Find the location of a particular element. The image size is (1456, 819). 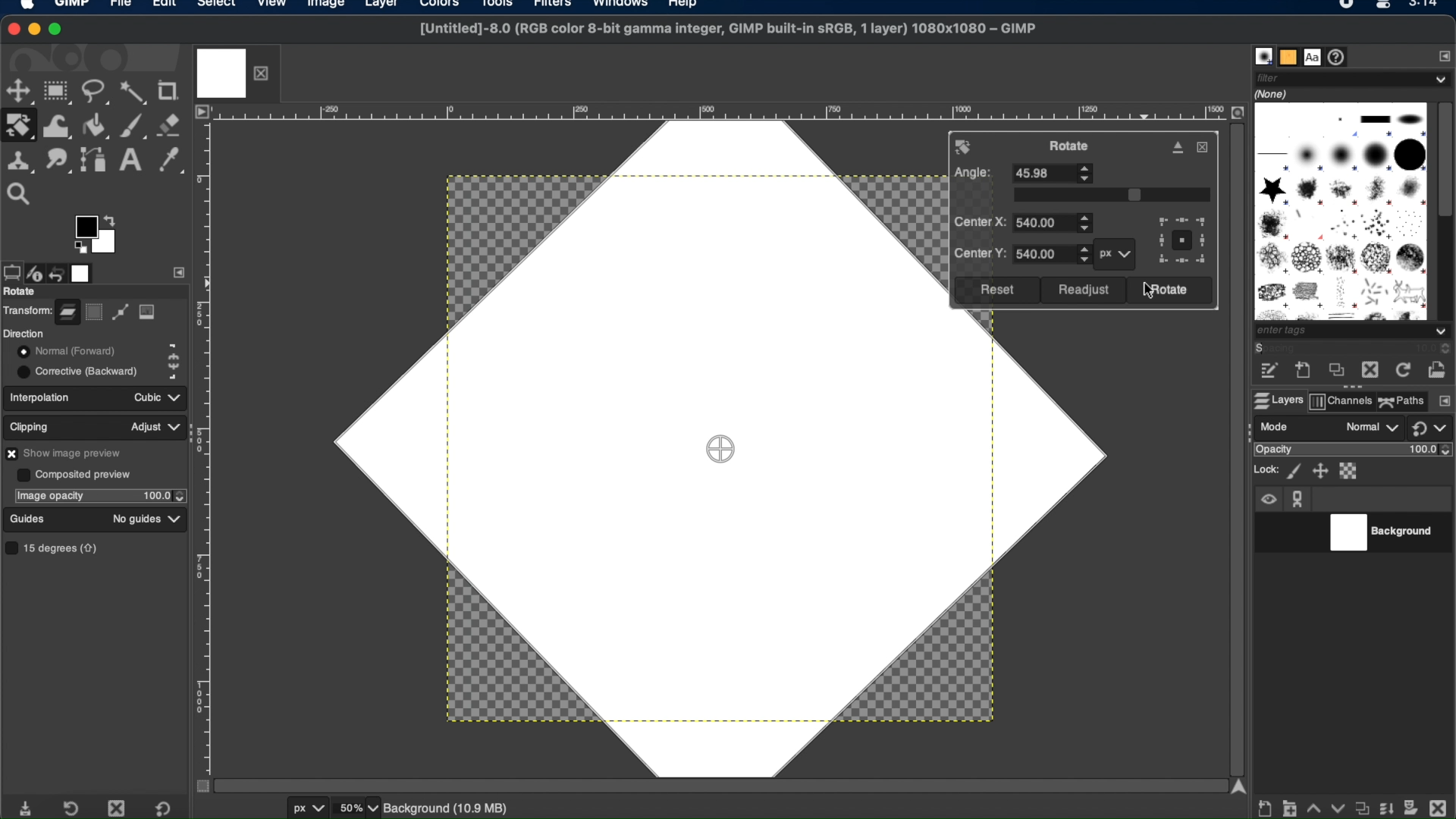

help is located at coordinates (684, 6).